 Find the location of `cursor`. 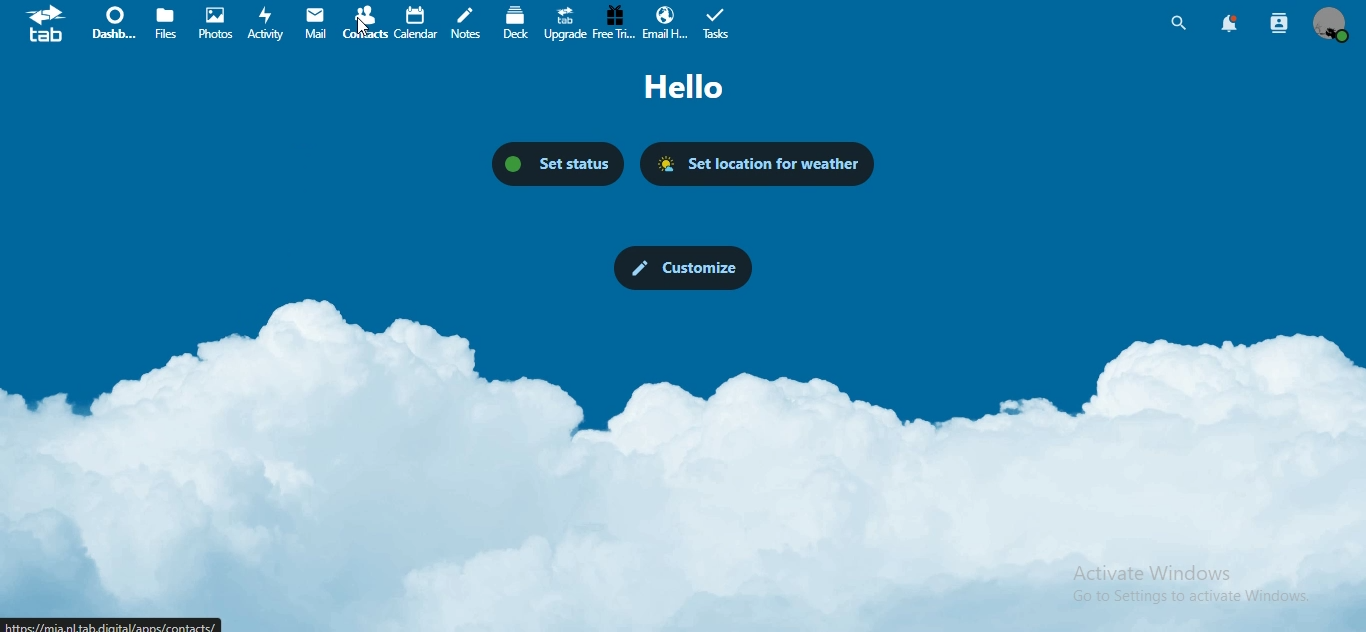

cursor is located at coordinates (364, 26).